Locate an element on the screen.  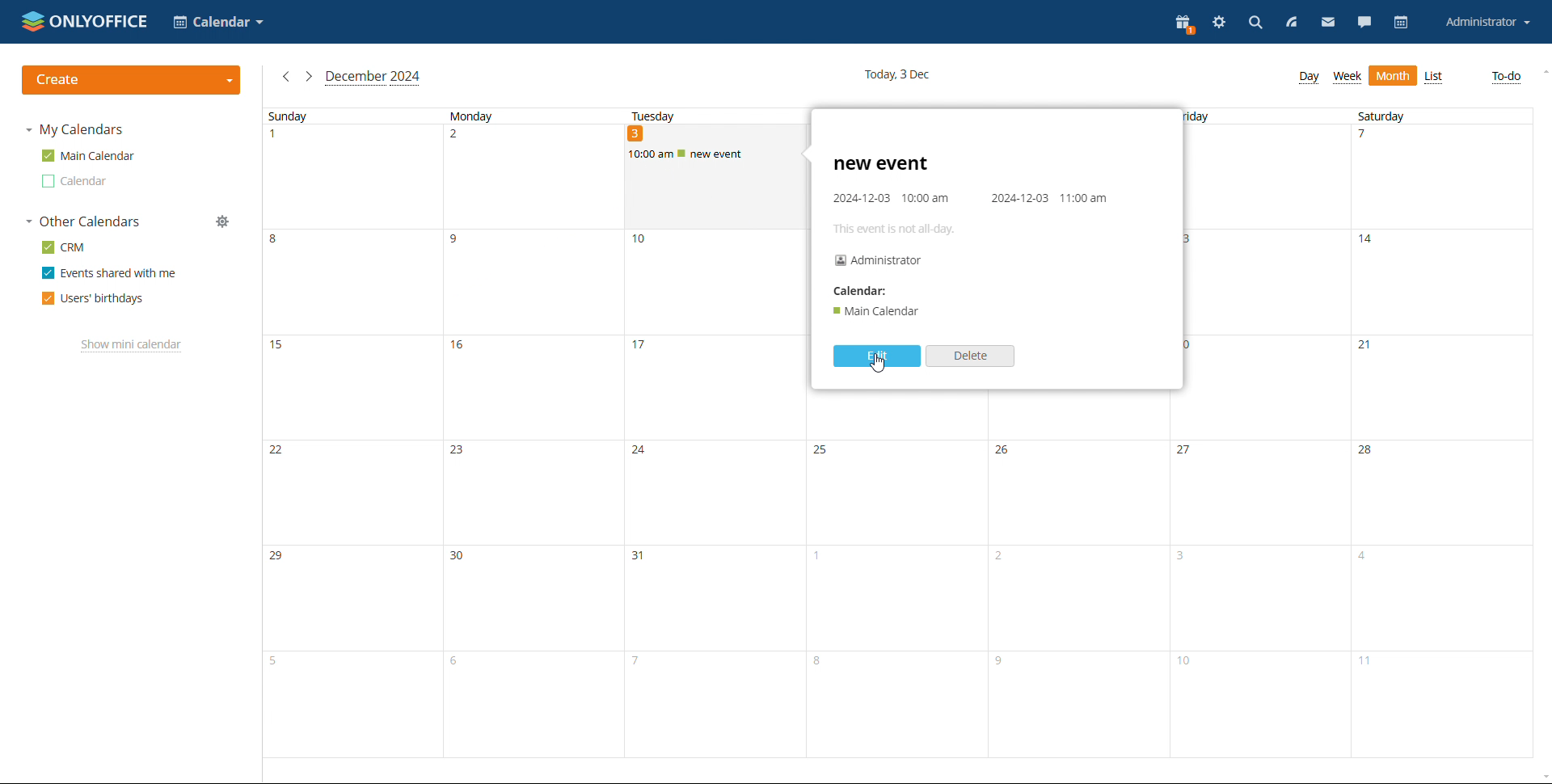
Calendar: is located at coordinates (863, 289).